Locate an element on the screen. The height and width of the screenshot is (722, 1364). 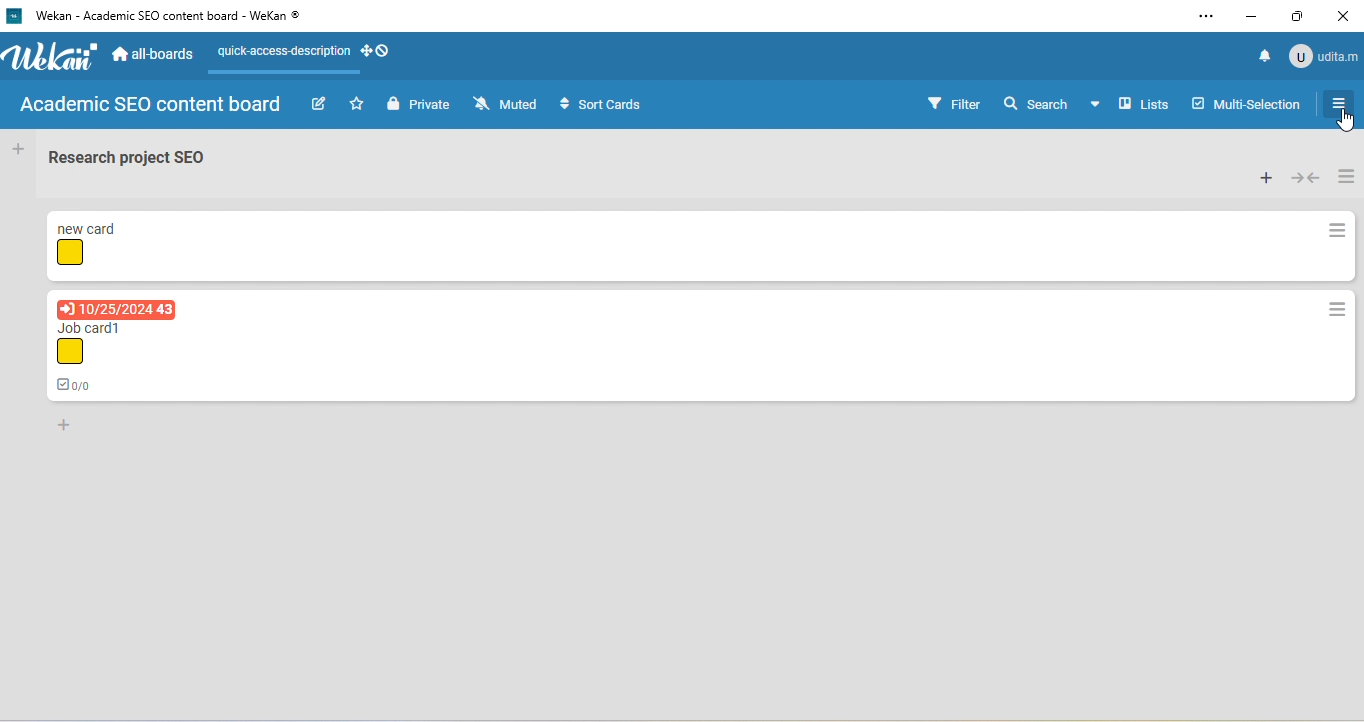
sort cards is located at coordinates (601, 104).